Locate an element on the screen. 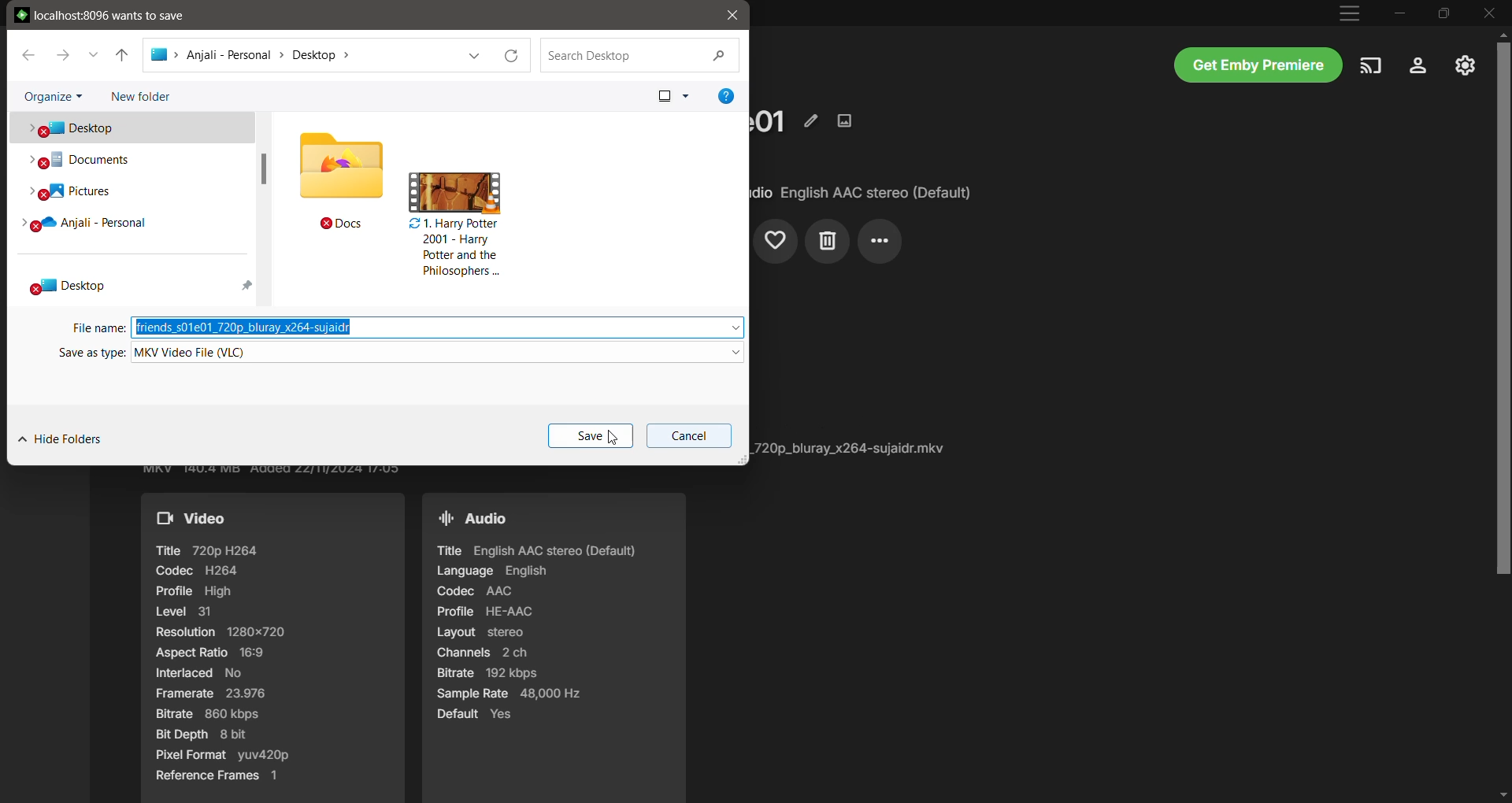 Image resolution: width=1512 pixels, height=803 pixels. Desktop is located at coordinates (130, 128).